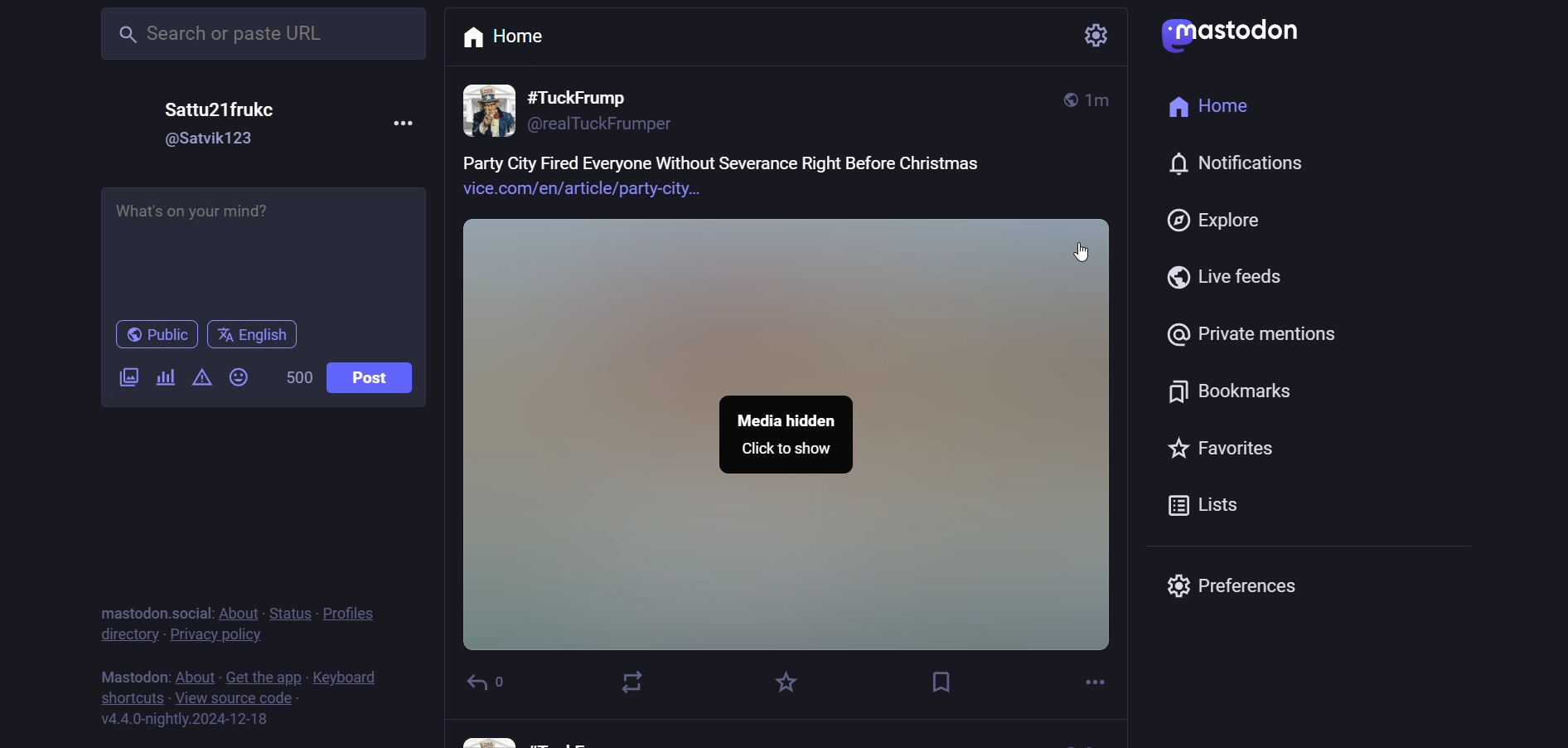  I want to click on status, so click(289, 610).